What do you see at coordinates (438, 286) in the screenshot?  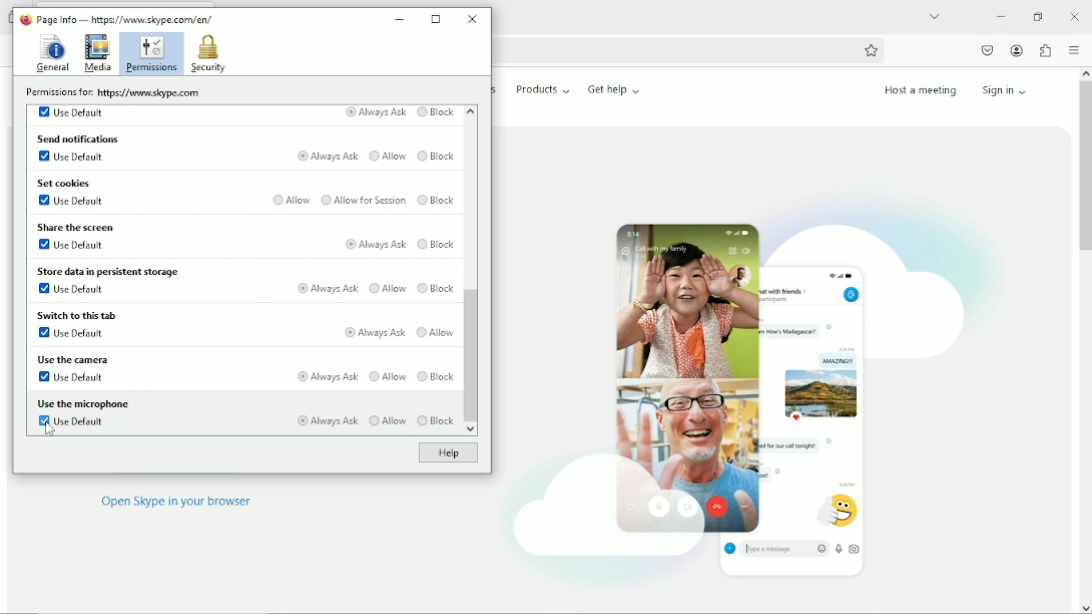 I see `Block` at bounding box center [438, 286].